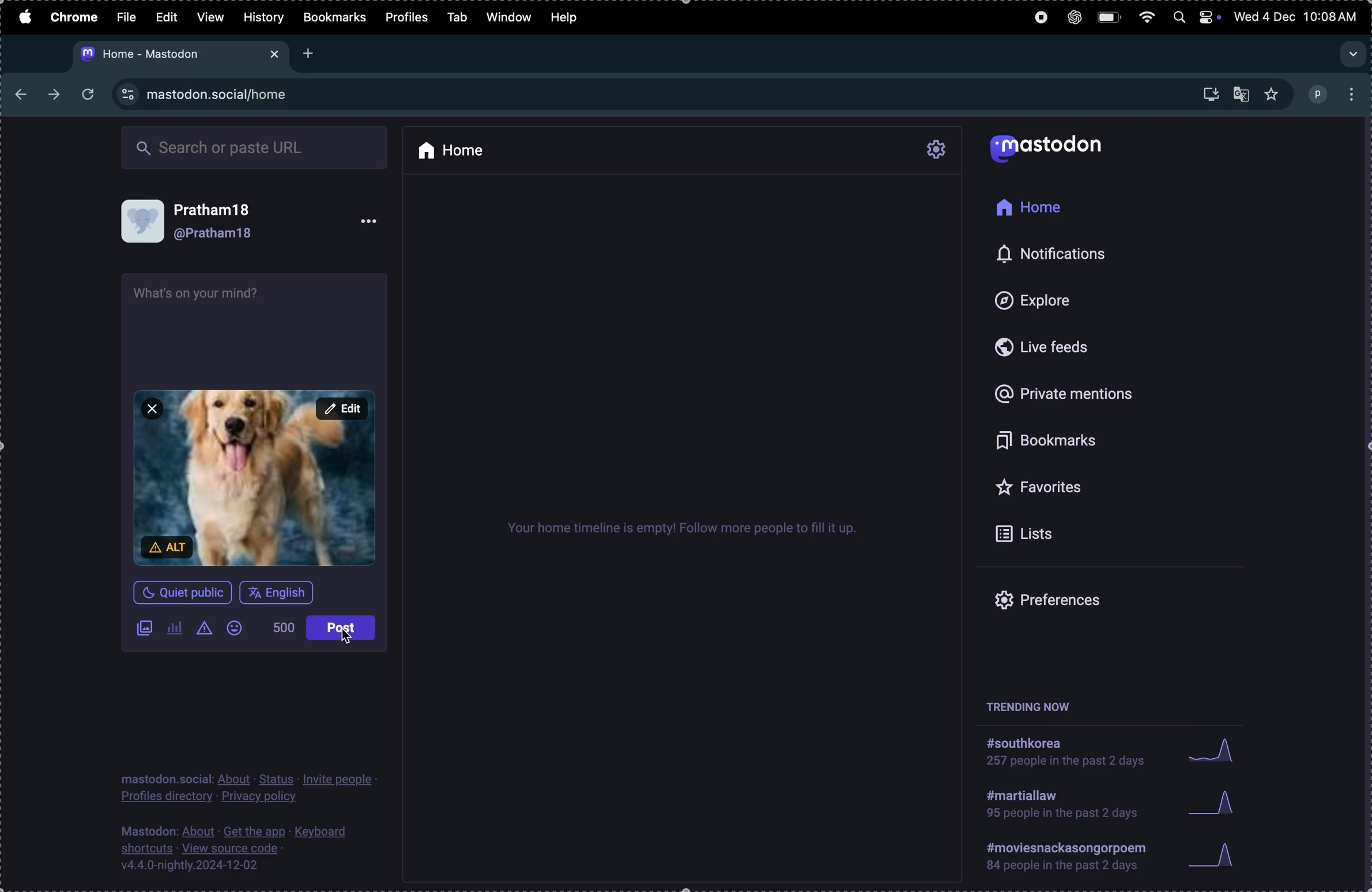  Describe the element at coordinates (936, 151) in the screenshot. I see `settings` at that location.